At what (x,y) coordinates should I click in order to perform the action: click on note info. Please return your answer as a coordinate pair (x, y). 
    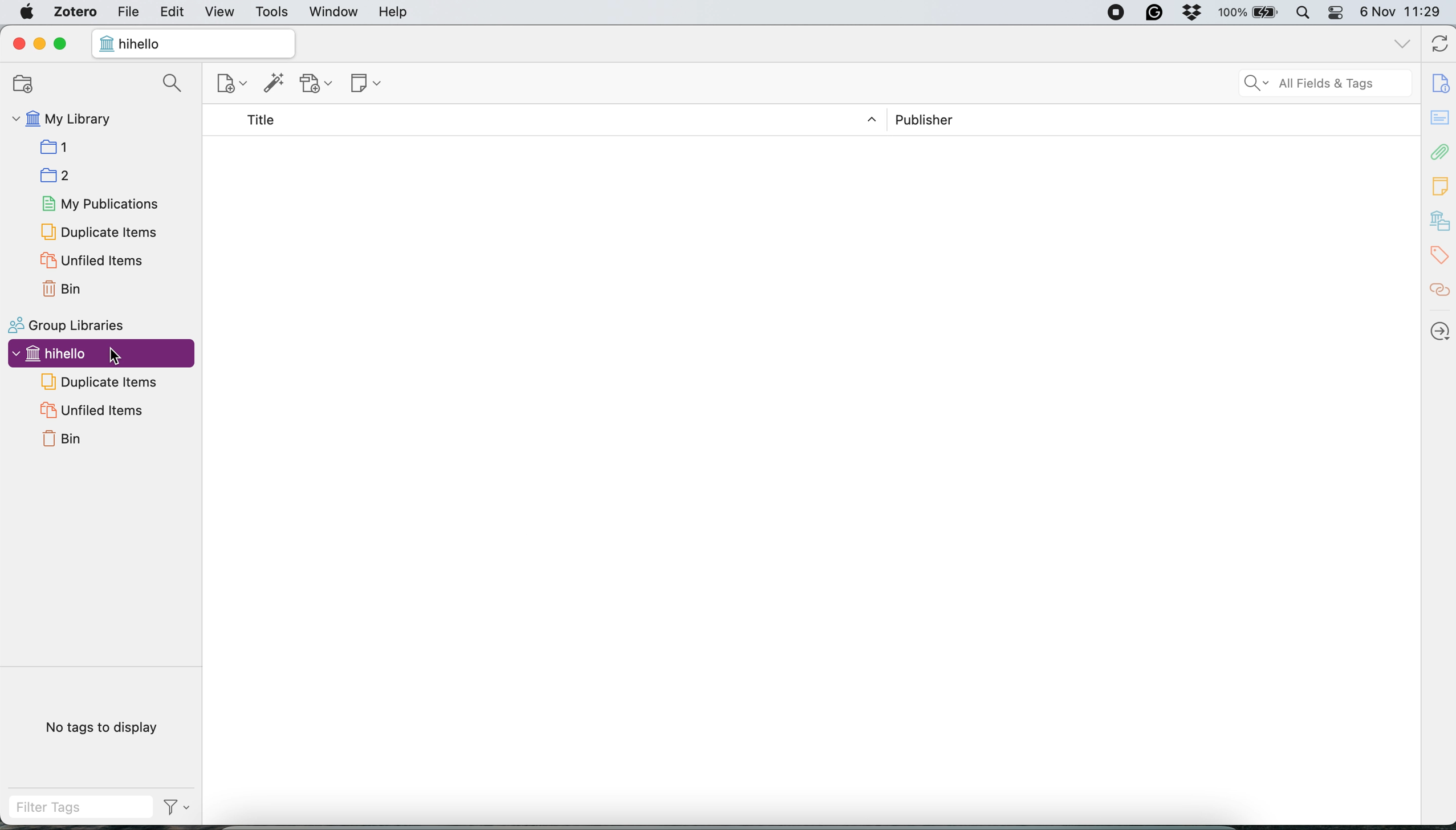
    Looking at the image, I should click on (1439, 79).